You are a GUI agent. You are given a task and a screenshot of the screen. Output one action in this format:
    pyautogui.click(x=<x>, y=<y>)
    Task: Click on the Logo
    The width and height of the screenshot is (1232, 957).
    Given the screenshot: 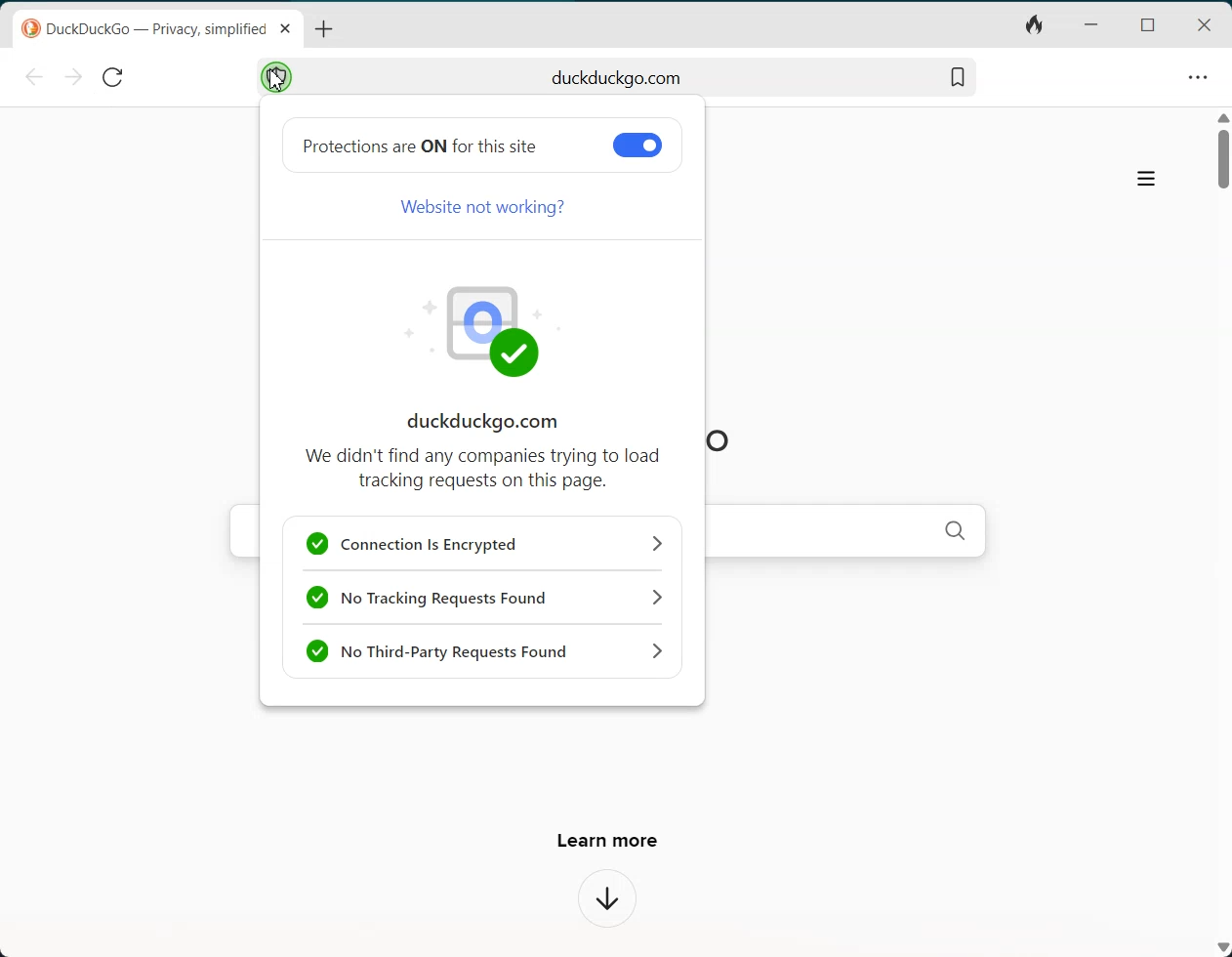 What is the action you would take?
    pyautogui.click(x=487, y=329)
    